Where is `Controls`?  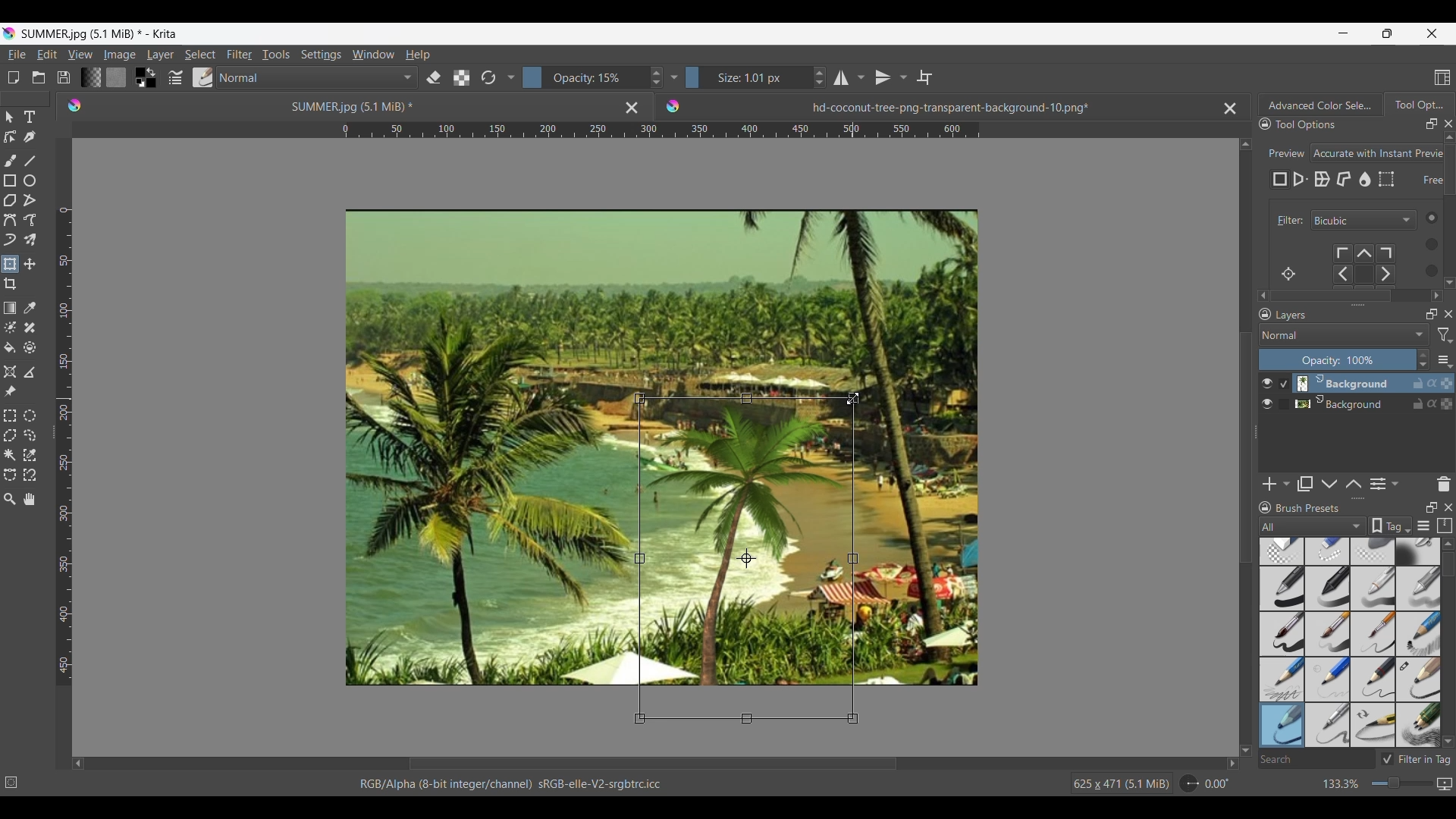
Controls is located at coordinates (1371, 265).